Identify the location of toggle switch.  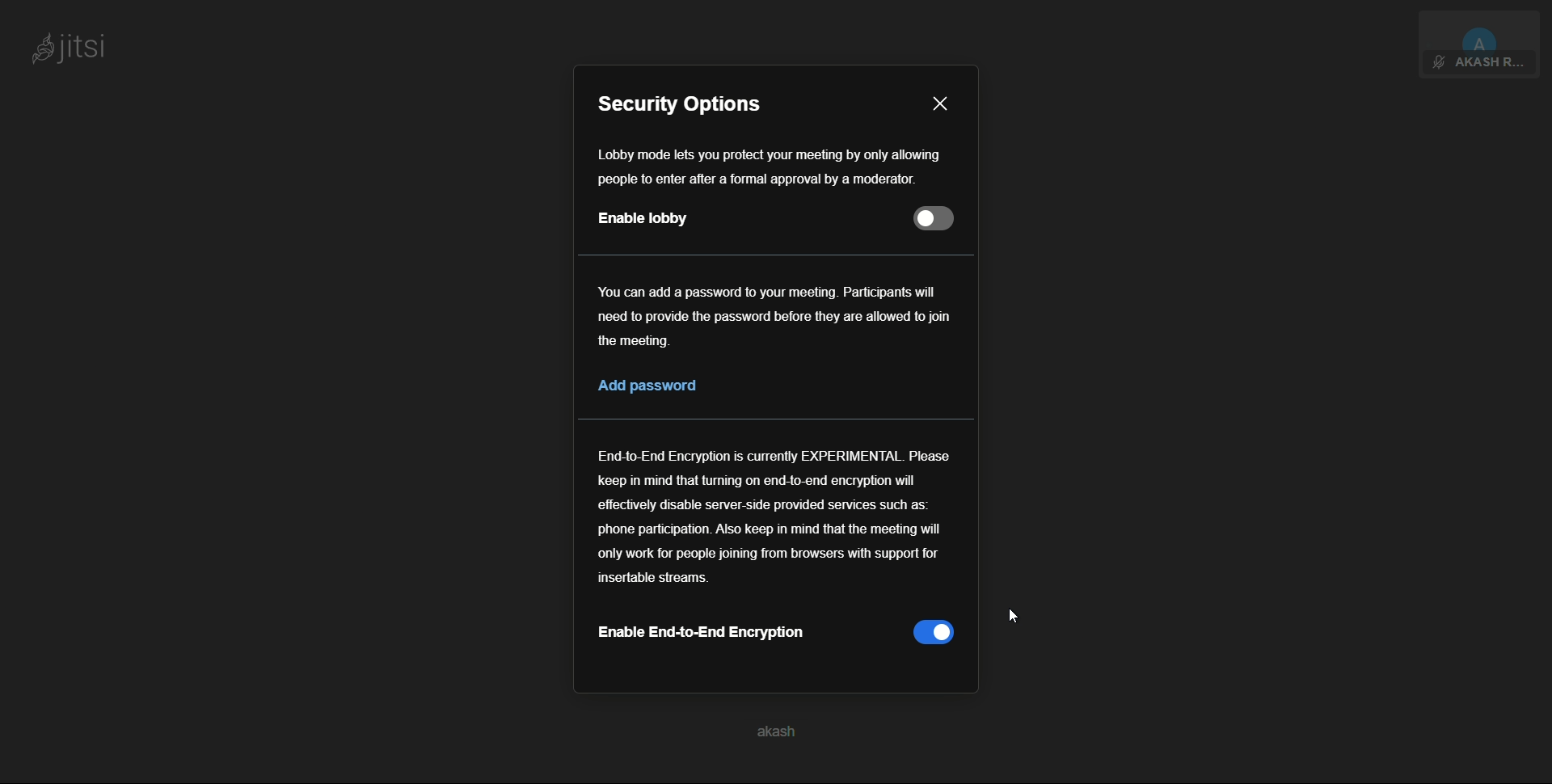
(932, 633).